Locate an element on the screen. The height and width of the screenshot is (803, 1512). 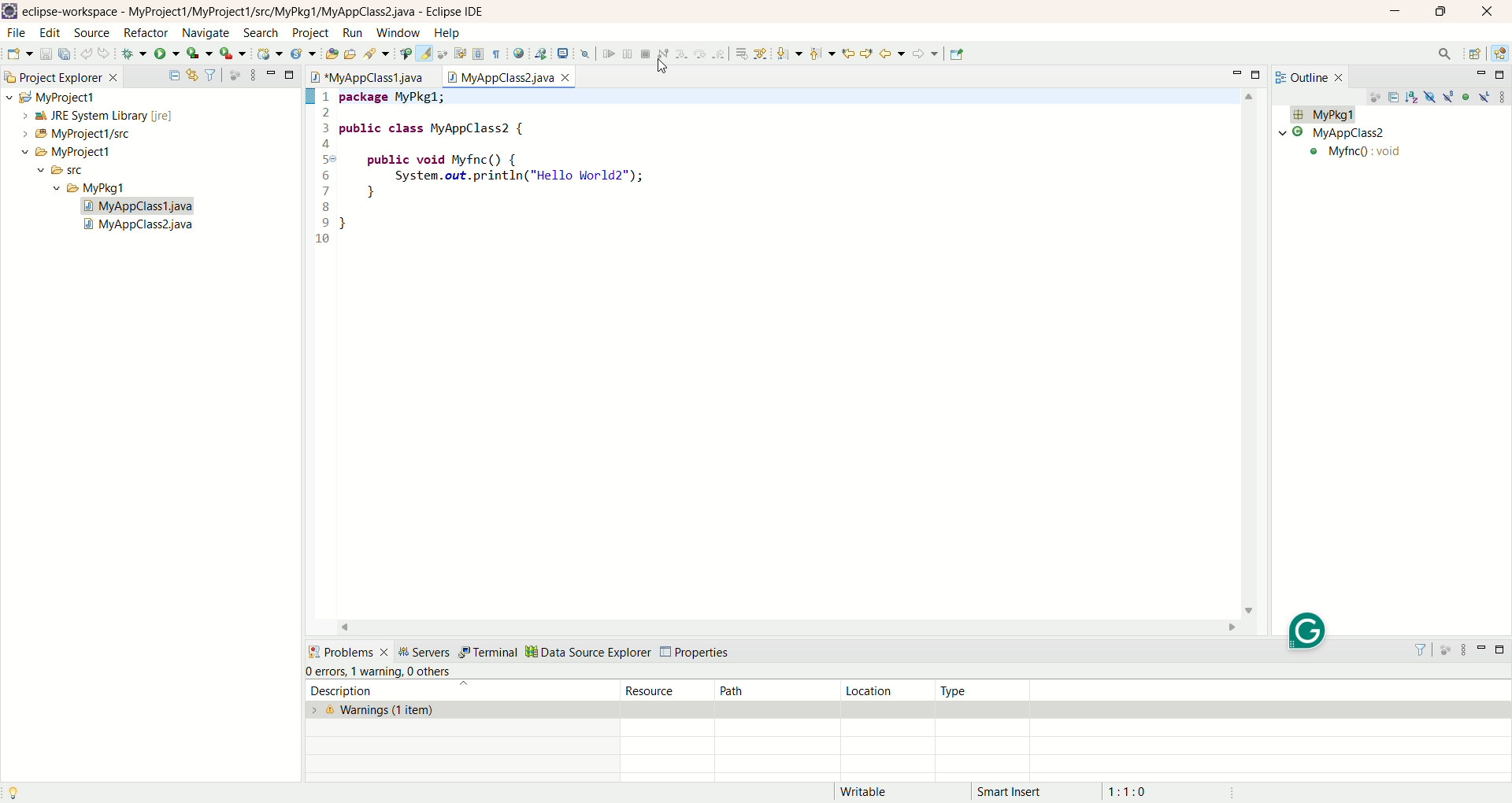
main string is located at coordinates (1376, 154).